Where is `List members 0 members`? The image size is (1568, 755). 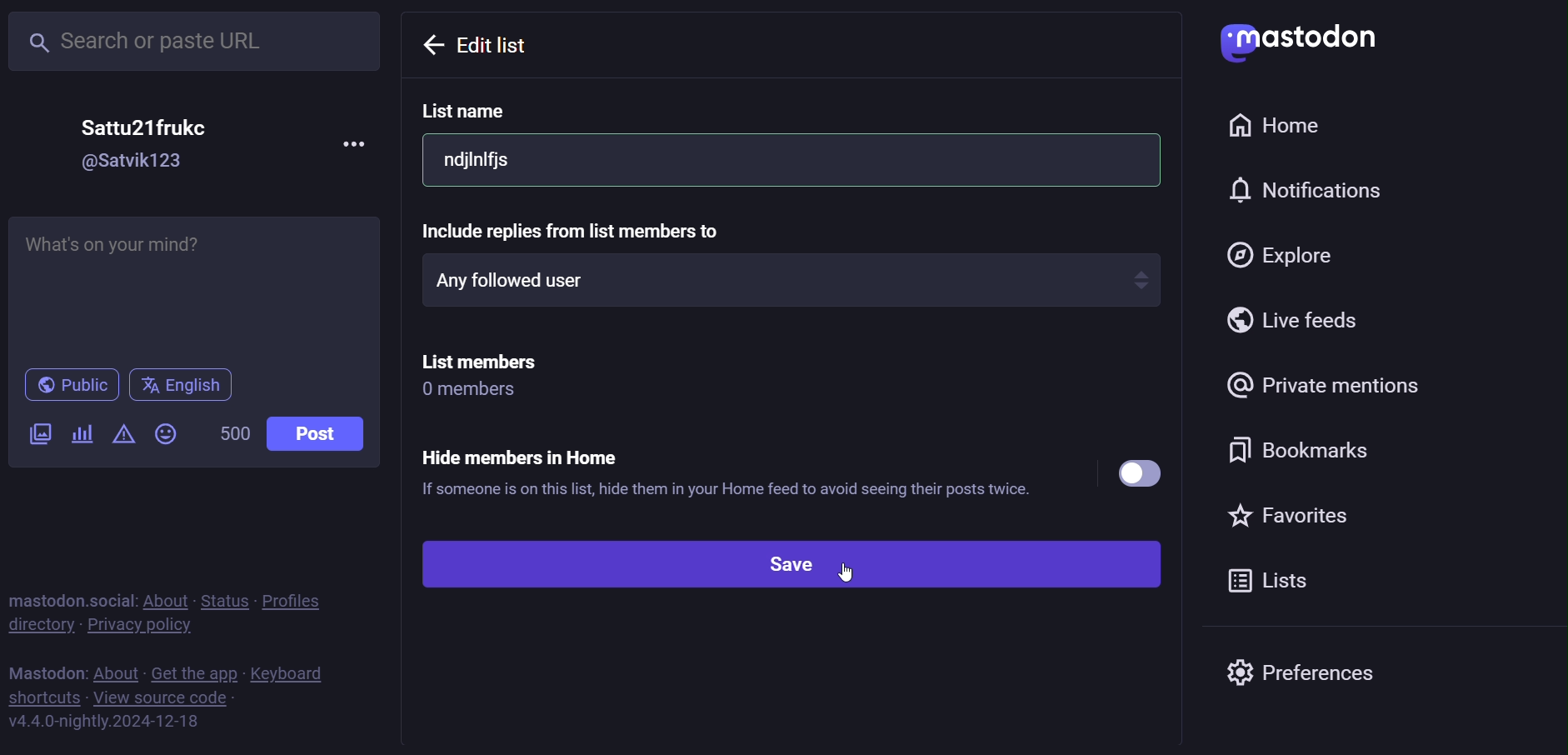 List members 0 members is located at coordinates (483, 373).